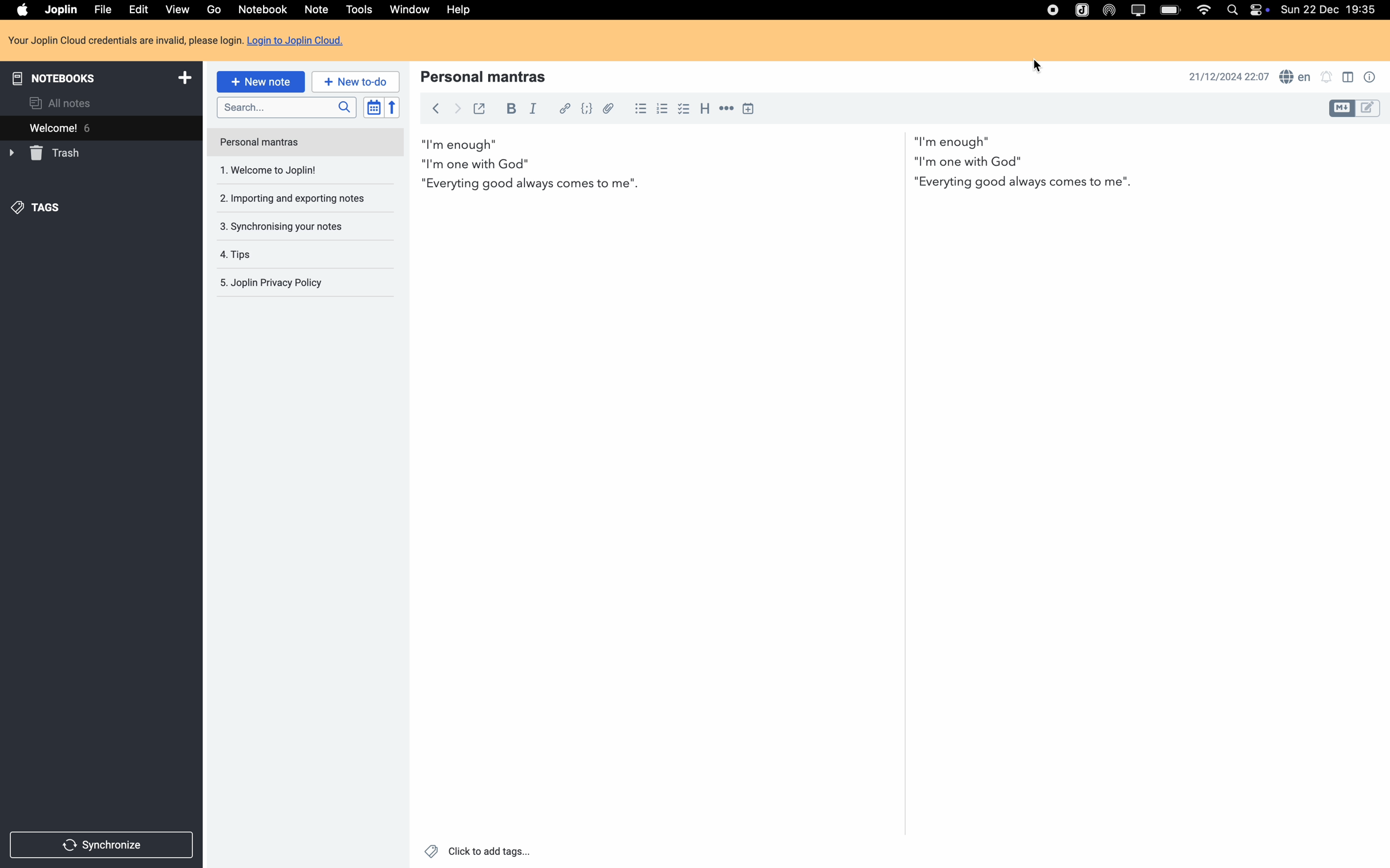  I want to click on note properties, so click(1370, 77).